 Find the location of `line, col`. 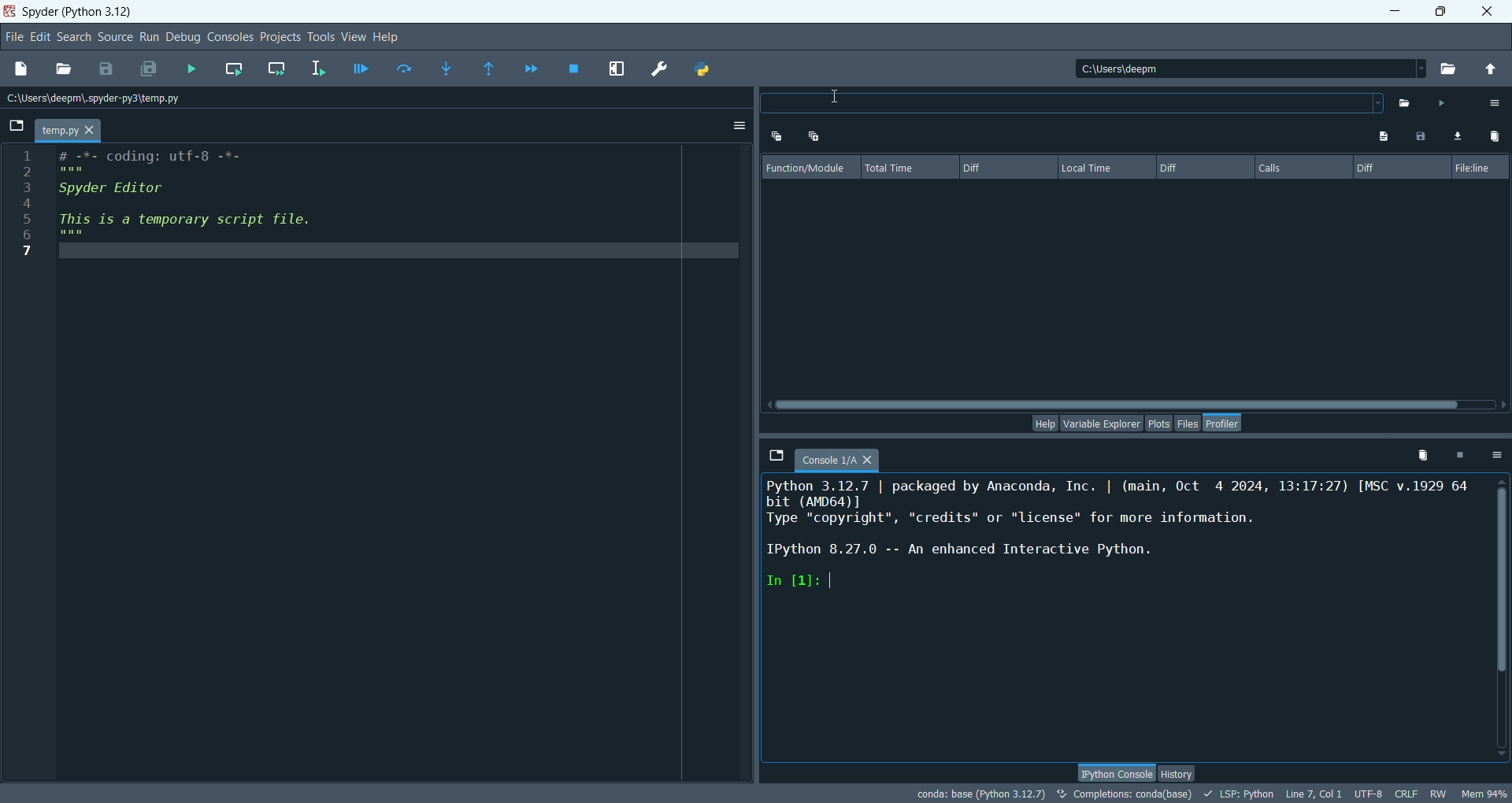

line, col is located at coordinates (1317, 794).